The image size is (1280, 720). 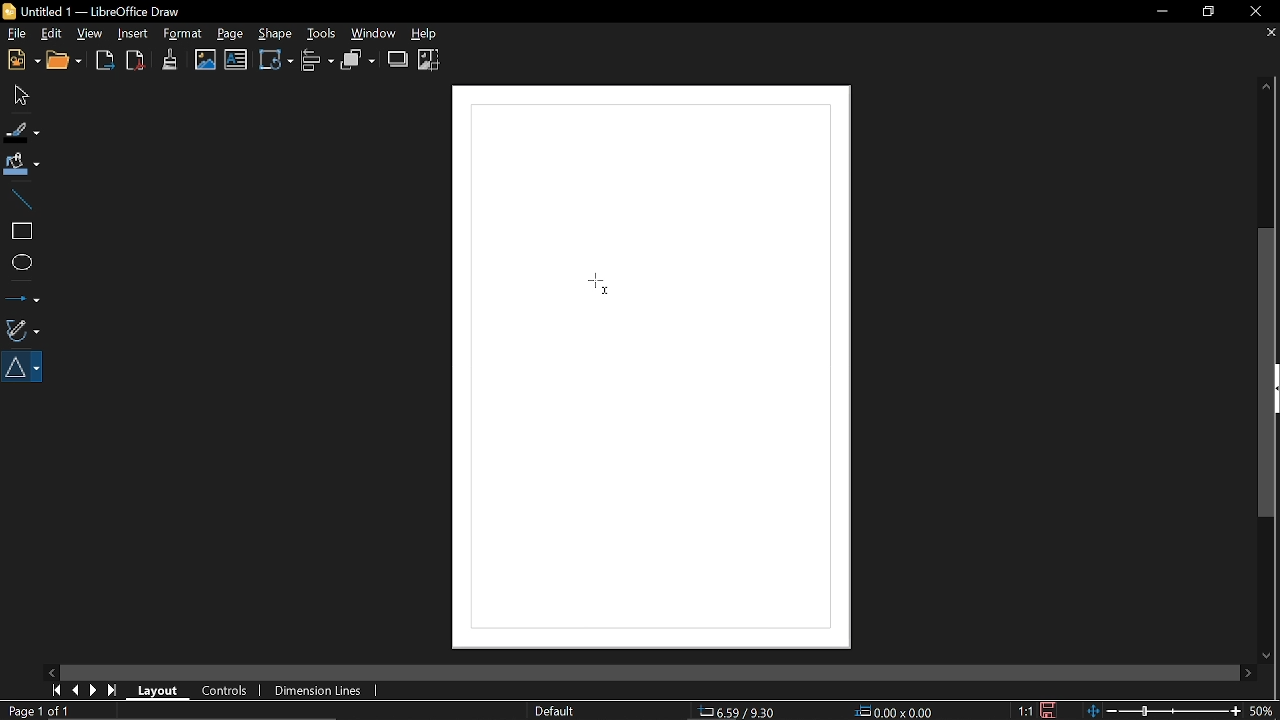 What do you see at coordinates (276, 59) in the screenshot?
I see `Transformation` at bounding box center [276, 59].